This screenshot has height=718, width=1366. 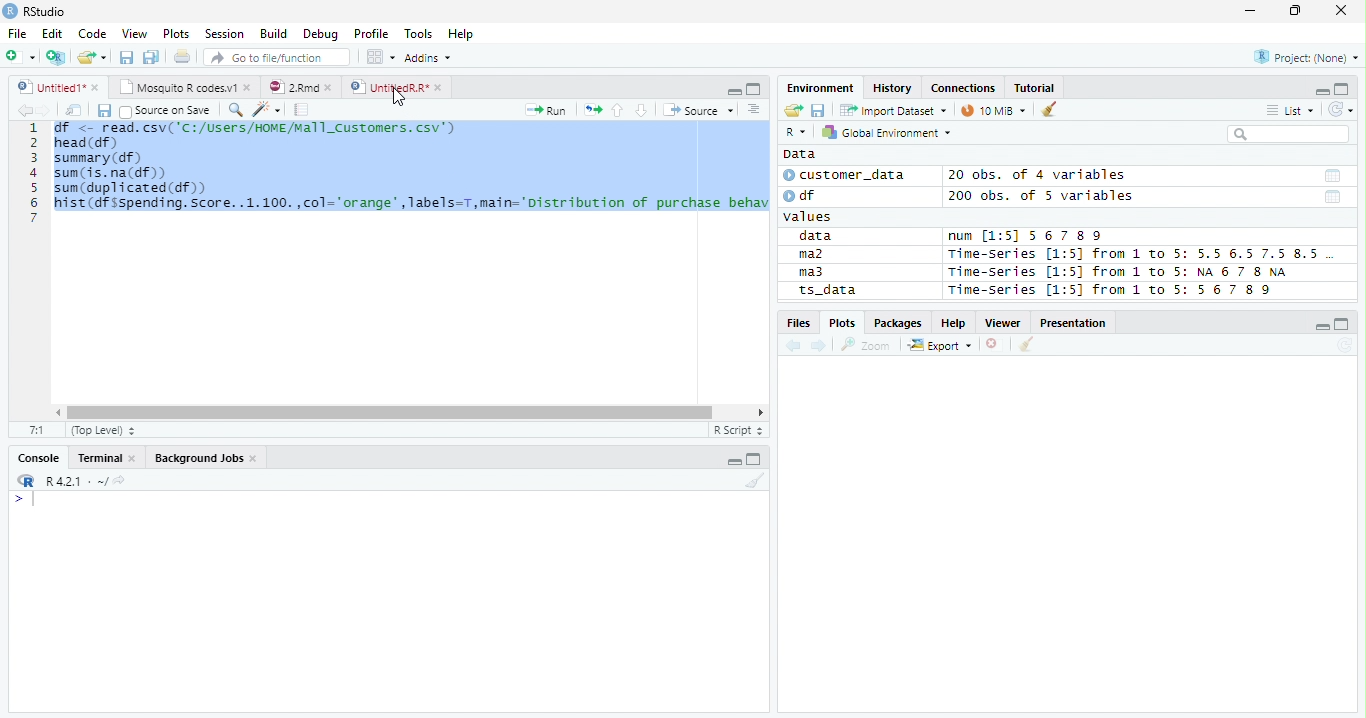 I want to click on data, so click(x=819, y=237).